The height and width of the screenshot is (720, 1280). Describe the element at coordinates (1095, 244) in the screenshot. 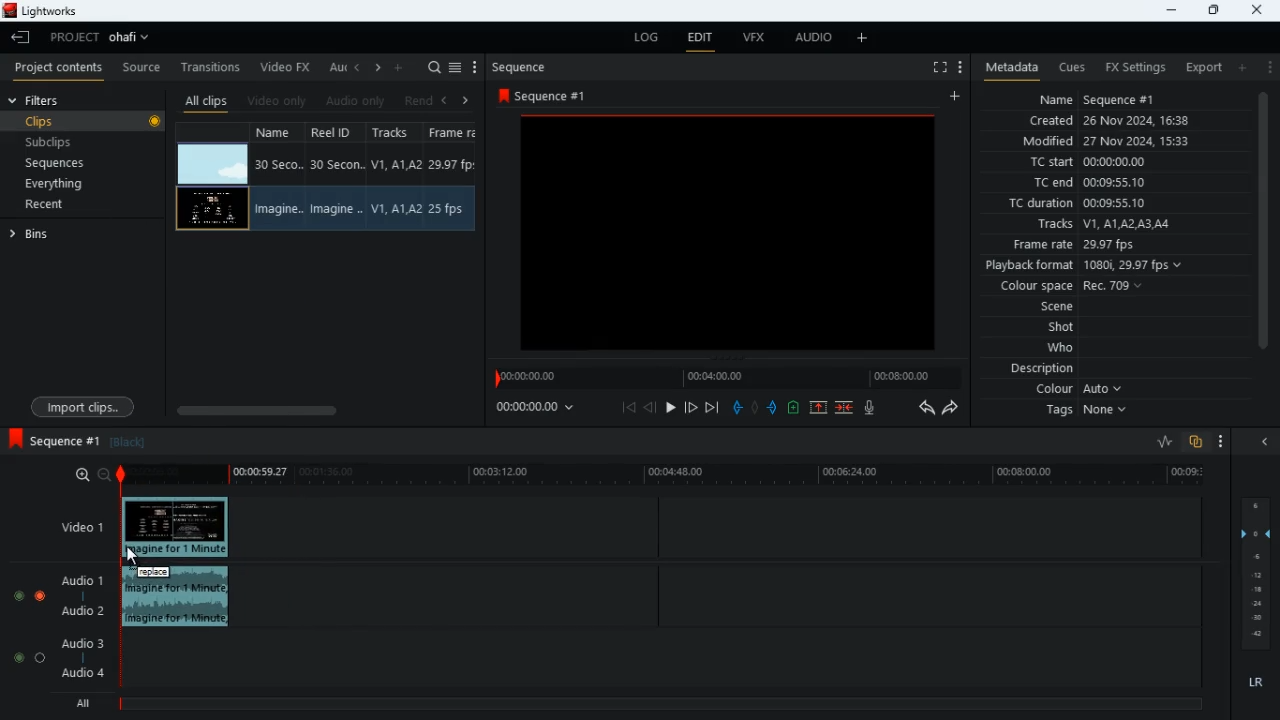

I see `frame rate` at that location.